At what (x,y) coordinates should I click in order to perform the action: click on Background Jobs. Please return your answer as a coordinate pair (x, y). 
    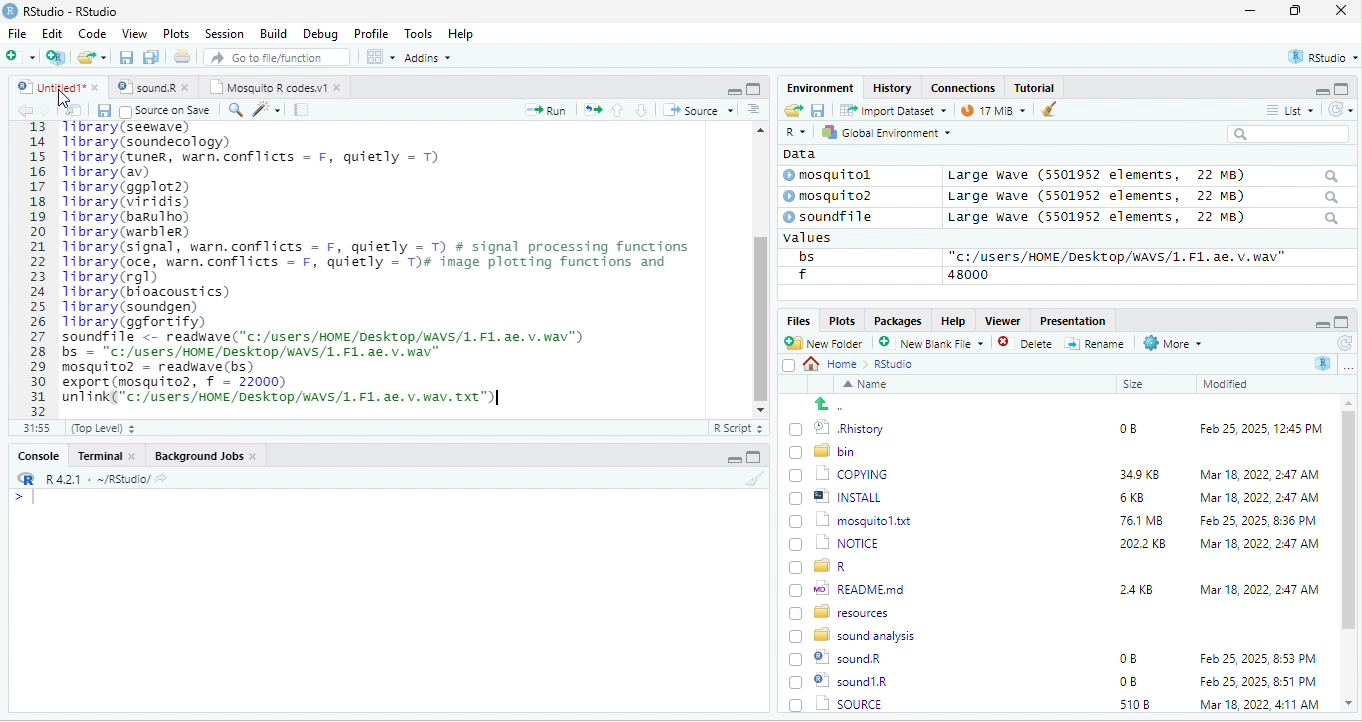
    Looking at the image, I should click on (205, 455).